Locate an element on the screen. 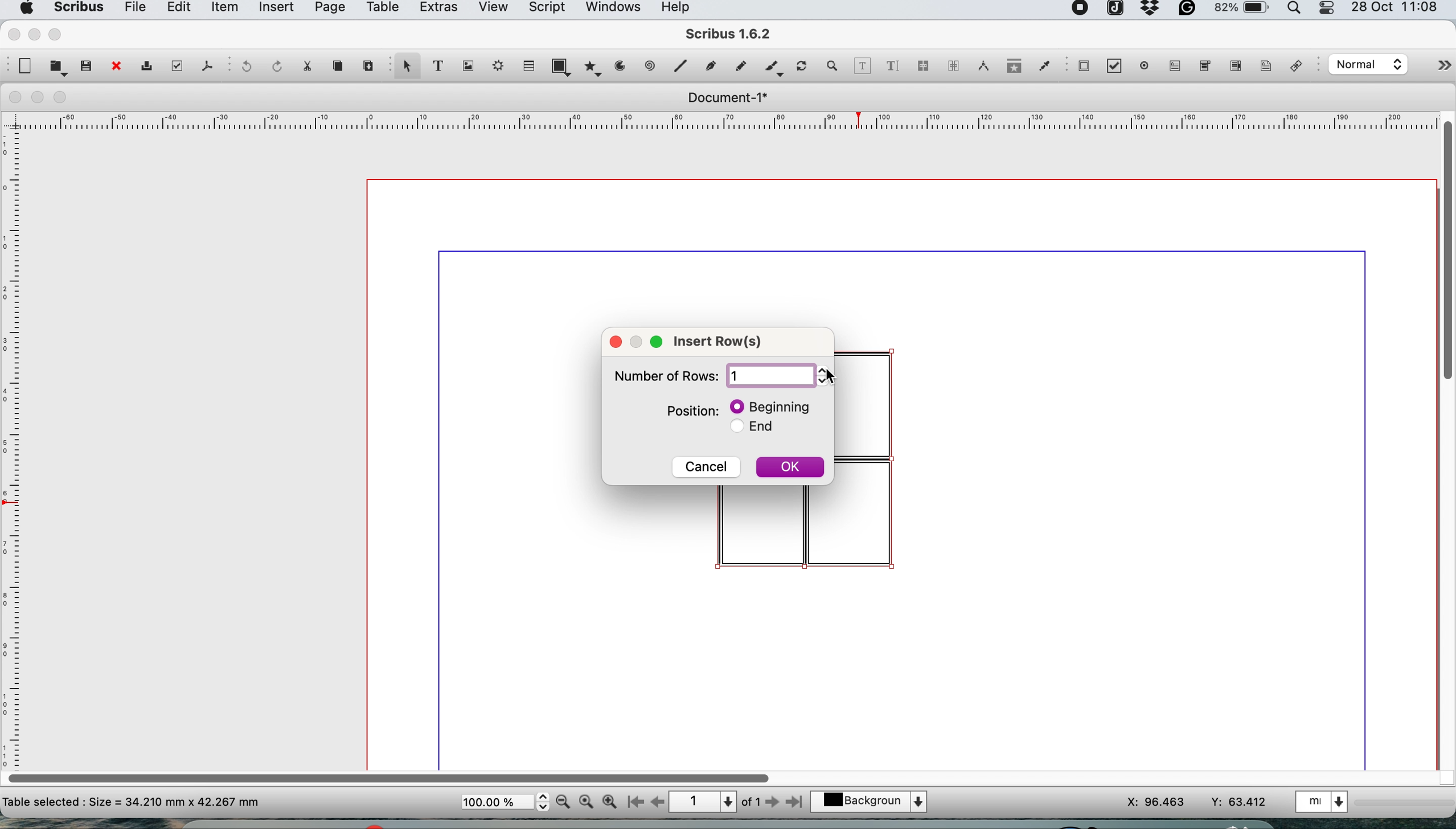 The height and width of the screenshot is (829, 1456). vertical scroll bar is located at coordinates (1446, 248).